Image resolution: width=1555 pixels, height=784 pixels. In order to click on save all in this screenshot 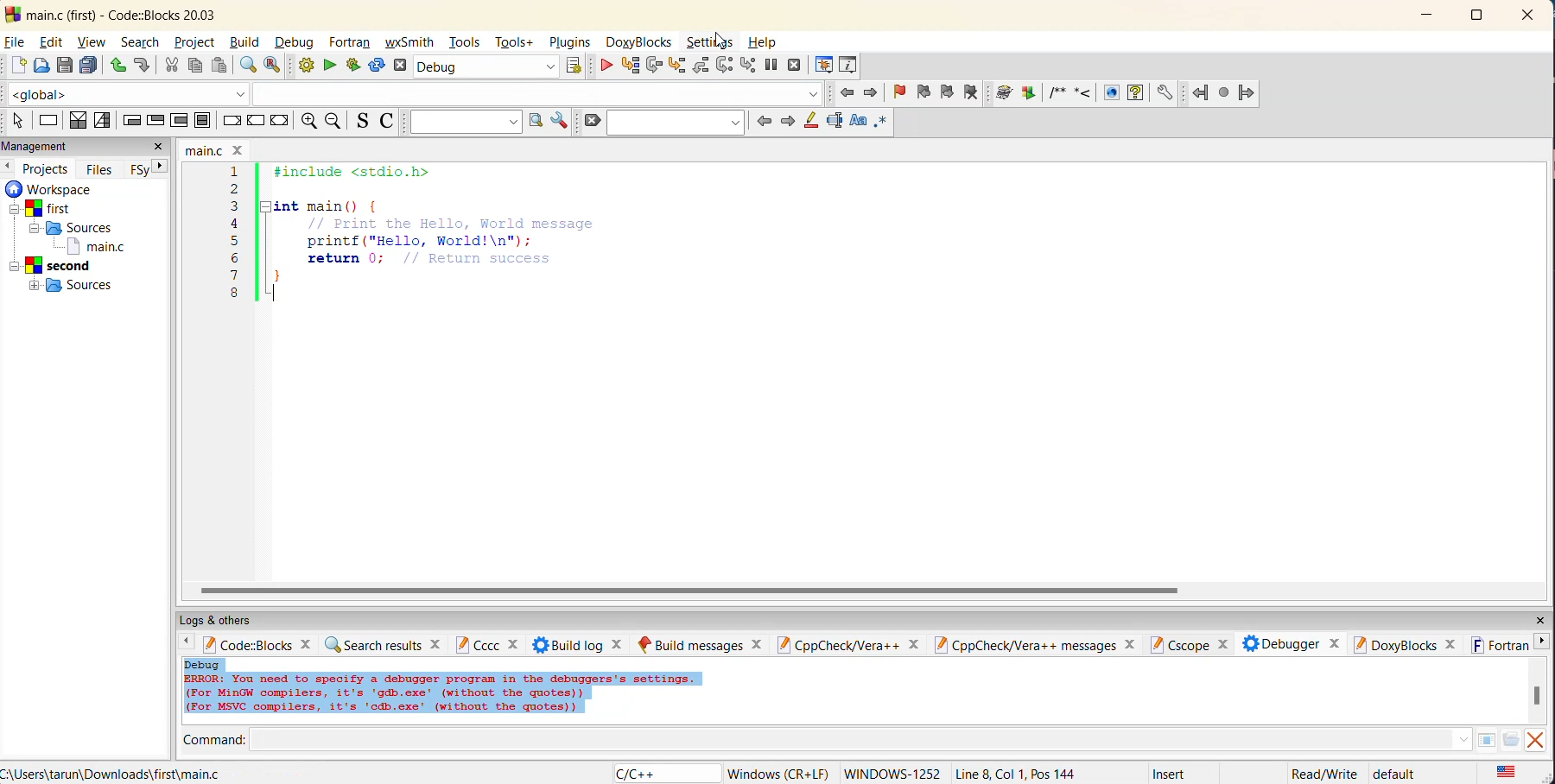, I will do `click(90, 66)`.